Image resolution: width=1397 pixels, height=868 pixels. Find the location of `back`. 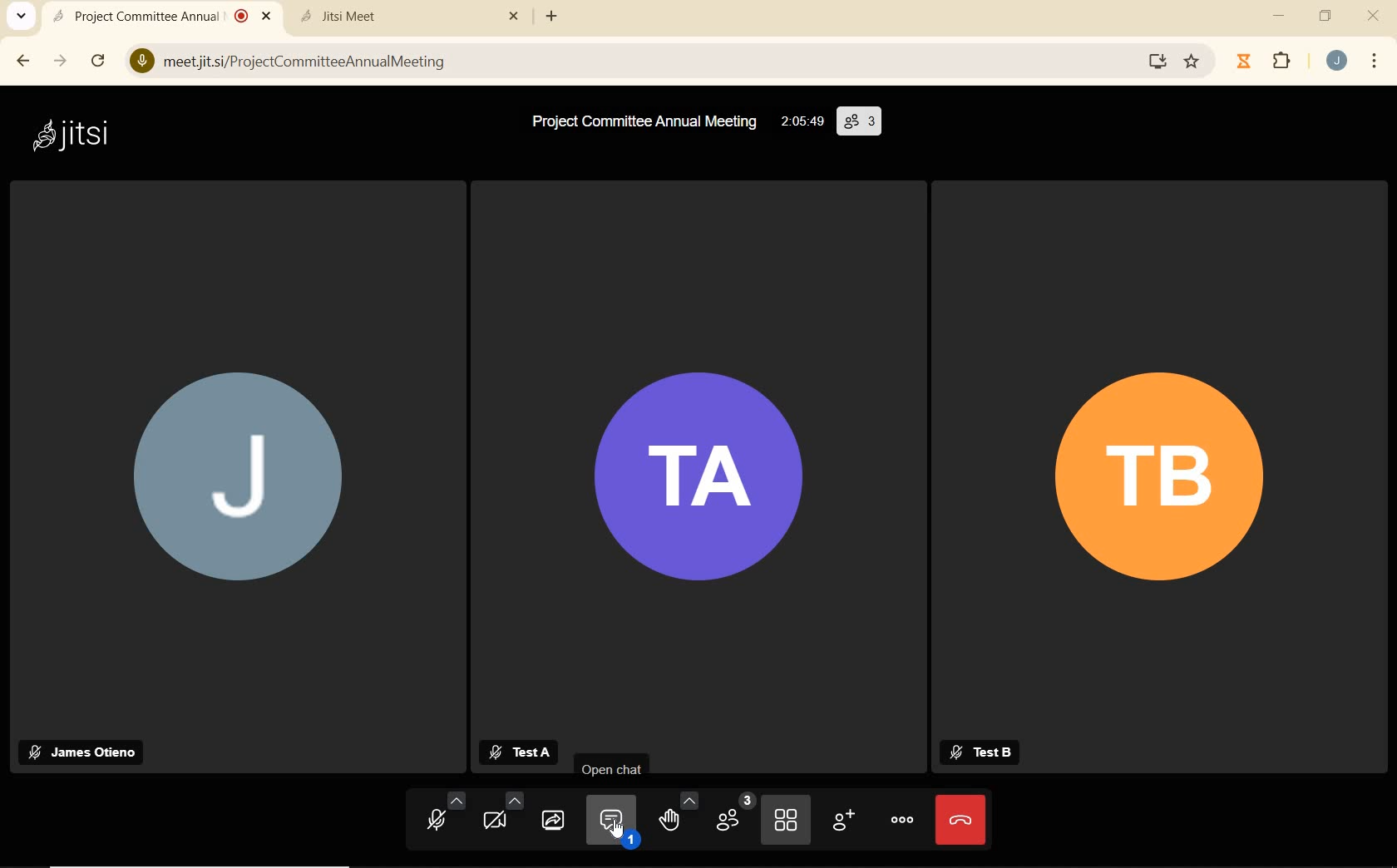

back is located at coordinates (23, 61).